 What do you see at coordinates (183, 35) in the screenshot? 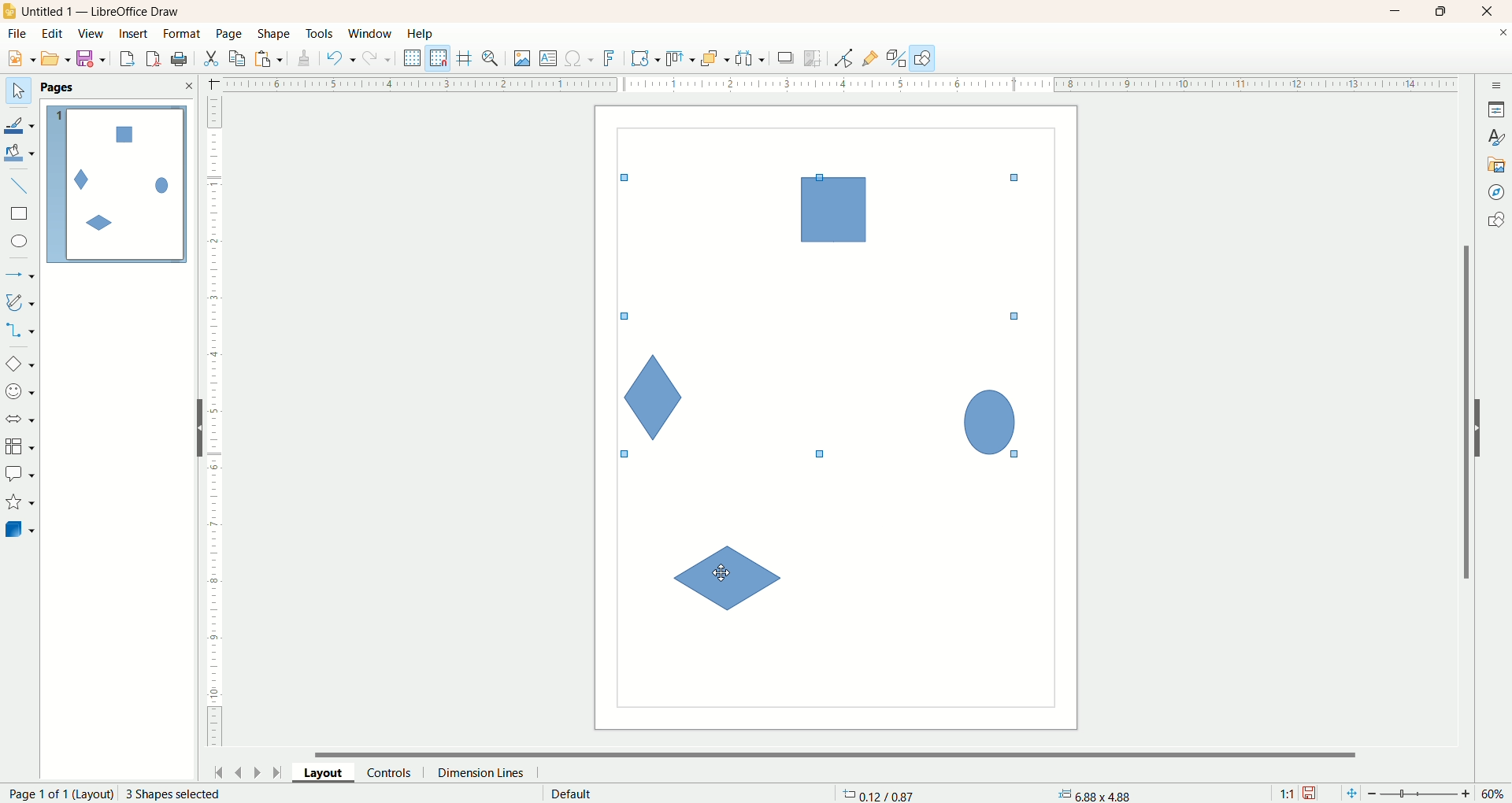
I see `format` at bounding box center [183, 35].